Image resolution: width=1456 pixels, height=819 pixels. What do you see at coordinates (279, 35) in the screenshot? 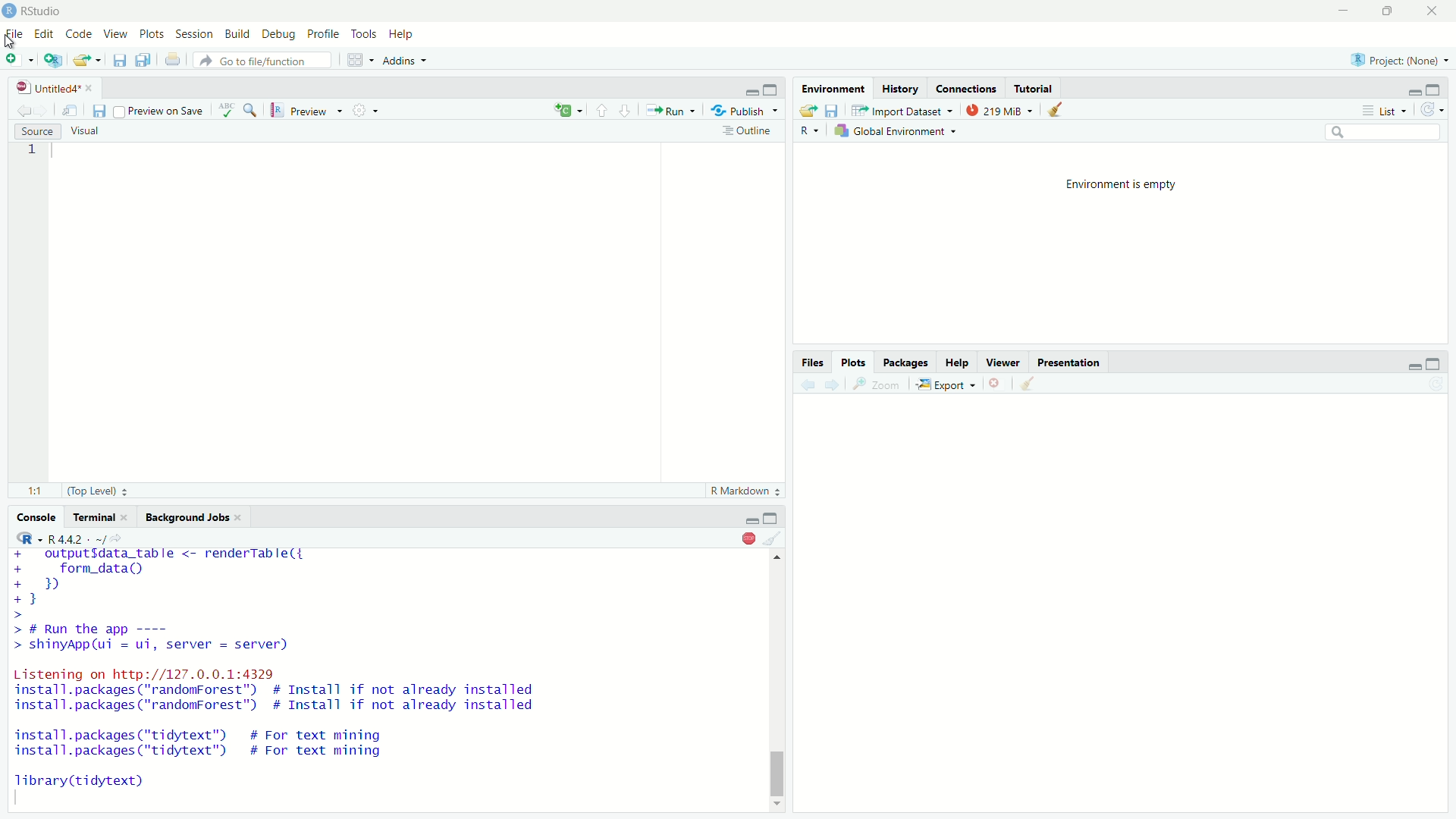
I see `Debug` at bounding box center [279, 35].